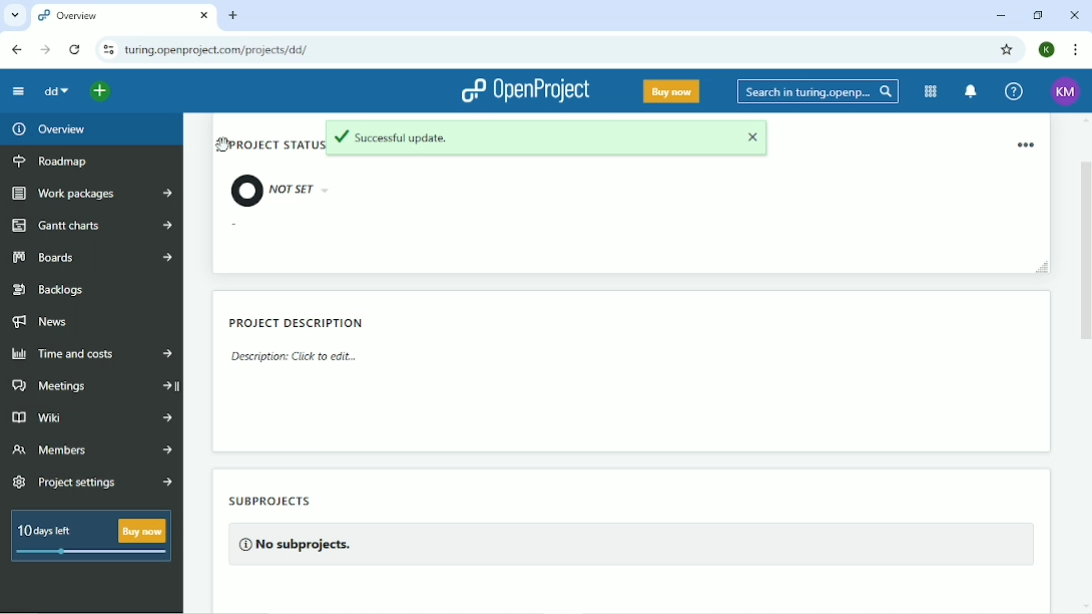  Describe the element at coordinates (1008, 50) in the screenshot. I see `Bookmark this tab` at that location.